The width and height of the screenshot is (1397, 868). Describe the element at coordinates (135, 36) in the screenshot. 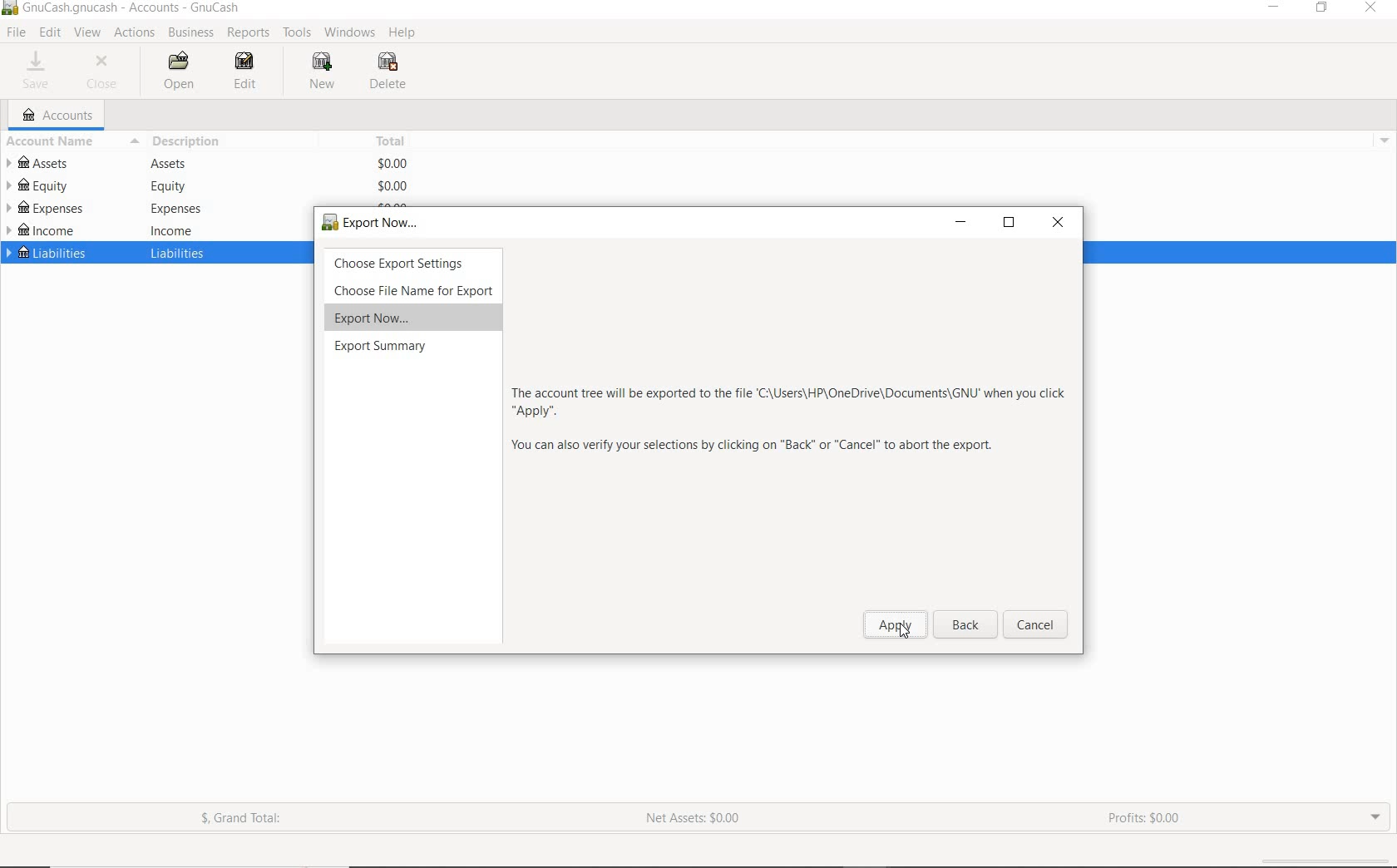

I see `ACTIONS` at that location.